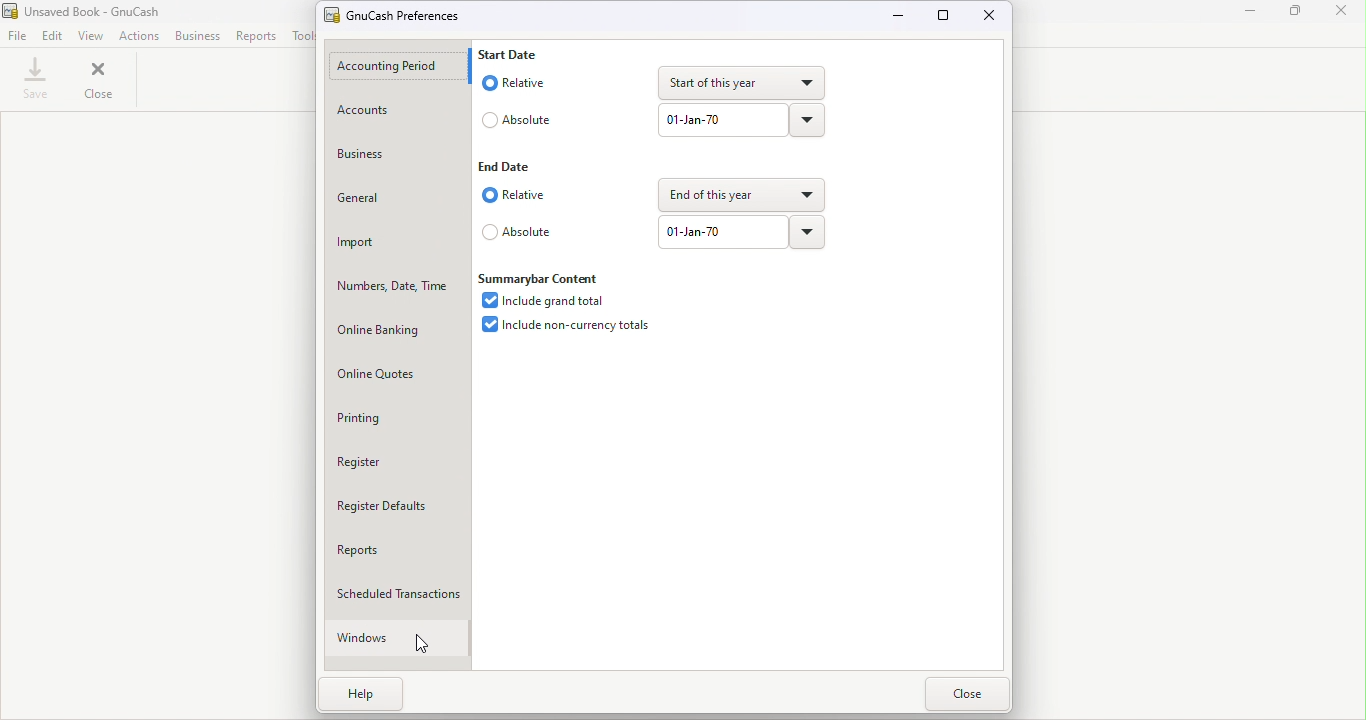 This screenshot has height=720, width=1366. What do you see at coordinates (102, 12) in the screenshot?
I see `File name` at bounding box center [102, 12].